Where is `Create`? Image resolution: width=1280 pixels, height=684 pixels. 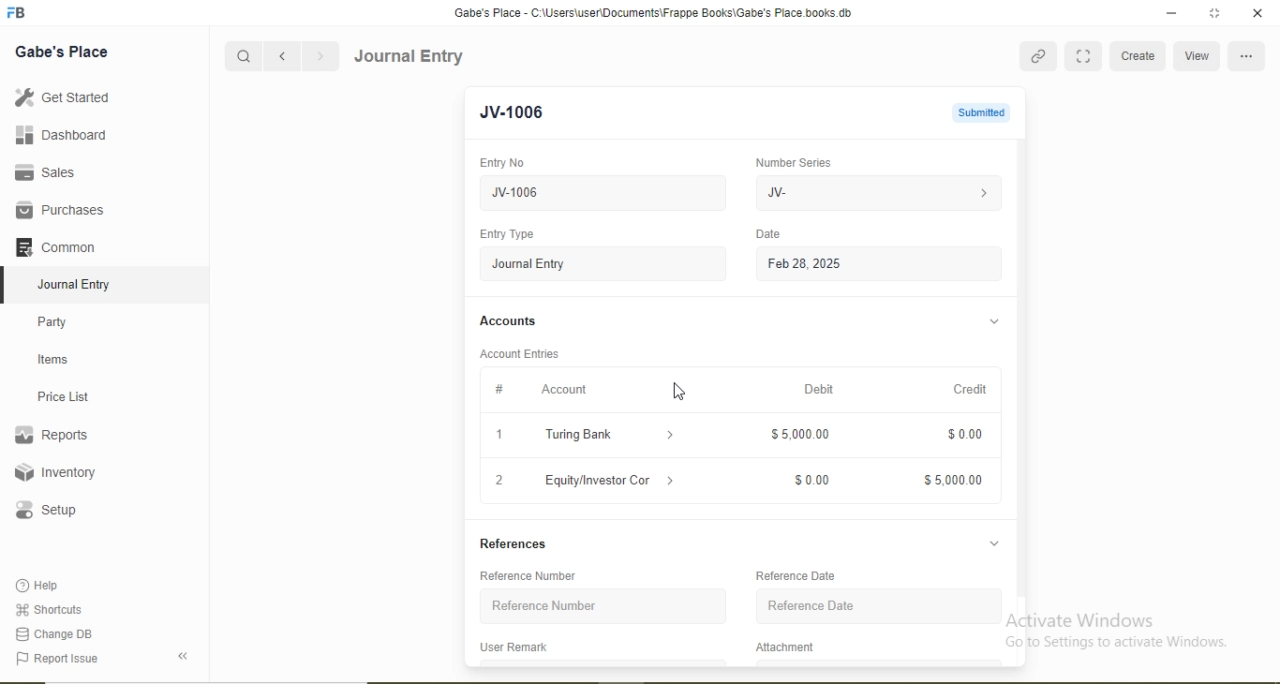
Create is located at coordinates (1139, 55).